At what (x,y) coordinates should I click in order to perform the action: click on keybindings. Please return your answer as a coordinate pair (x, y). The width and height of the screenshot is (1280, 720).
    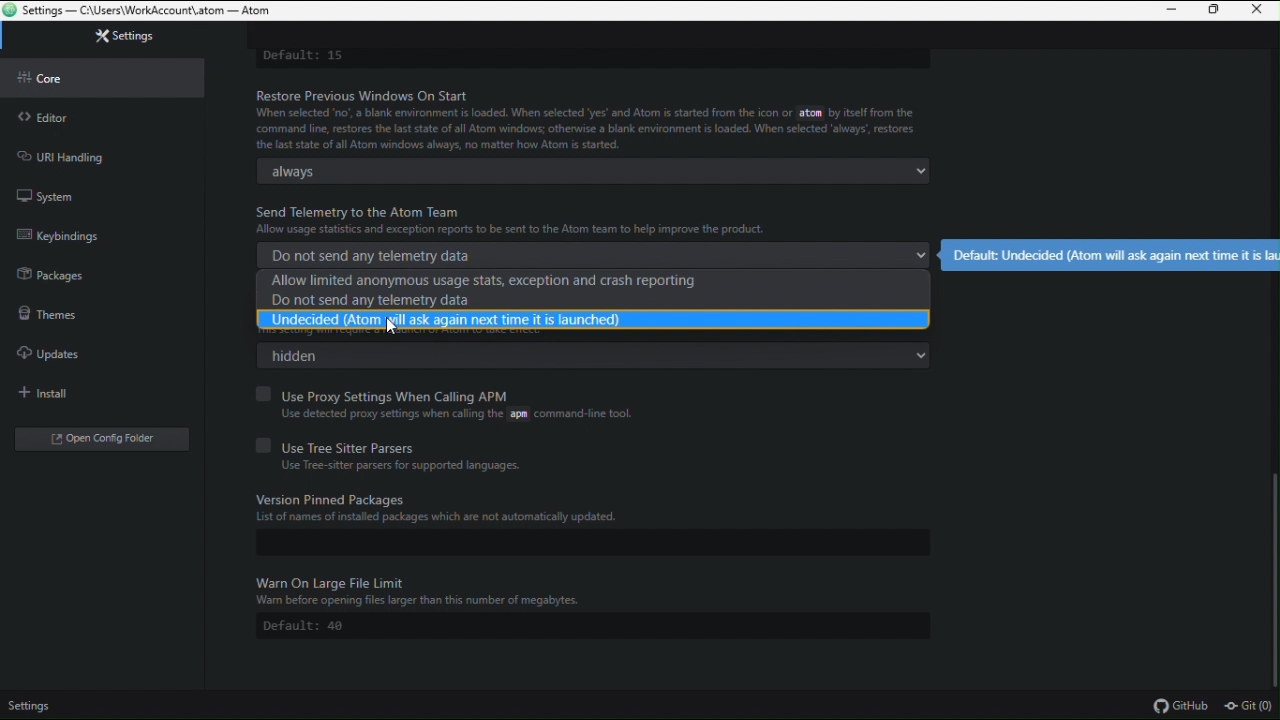
    Looking at the image, I should click on (106, 233).